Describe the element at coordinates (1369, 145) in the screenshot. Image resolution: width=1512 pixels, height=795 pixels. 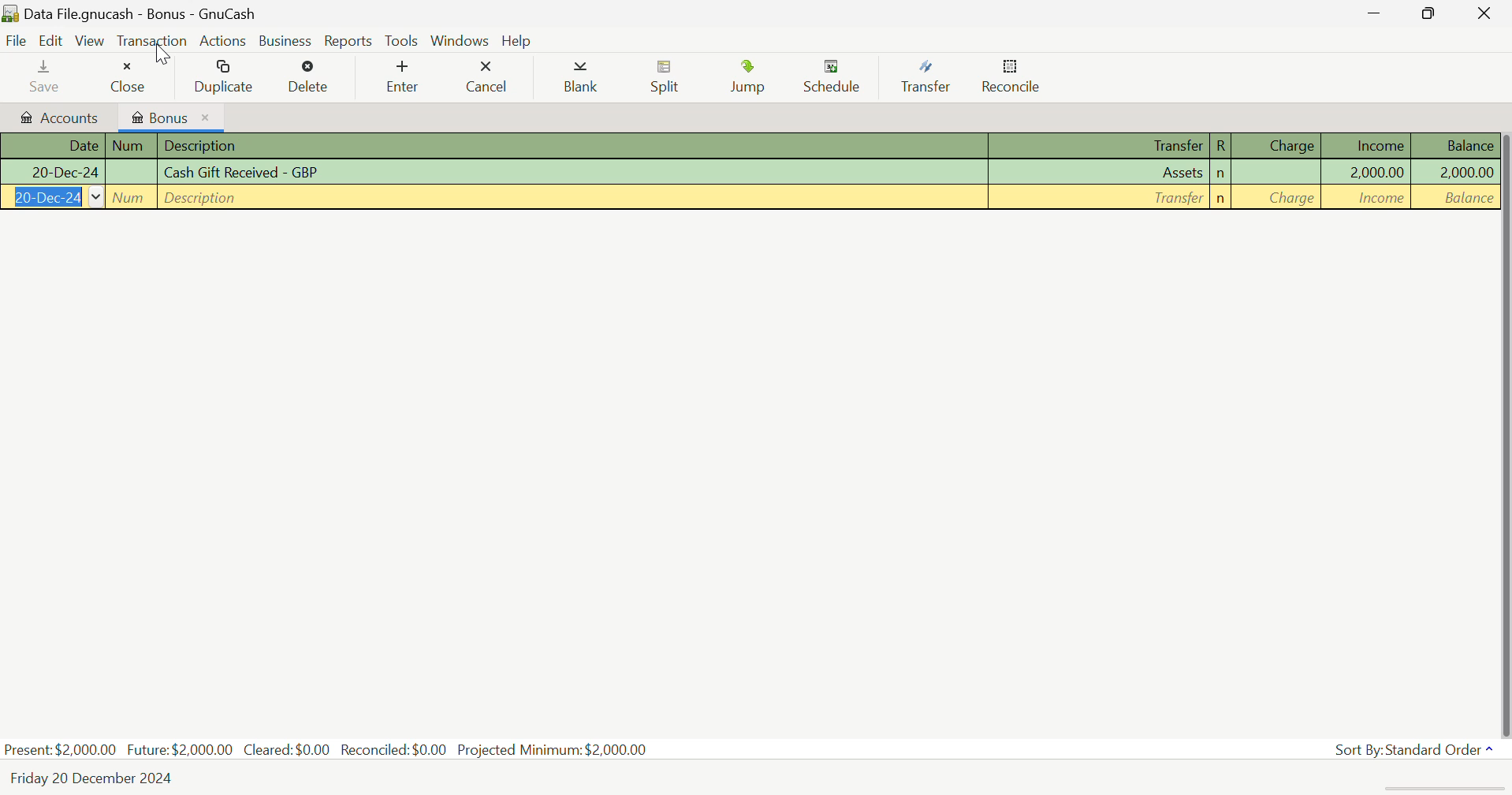
I see `Income` at that location.